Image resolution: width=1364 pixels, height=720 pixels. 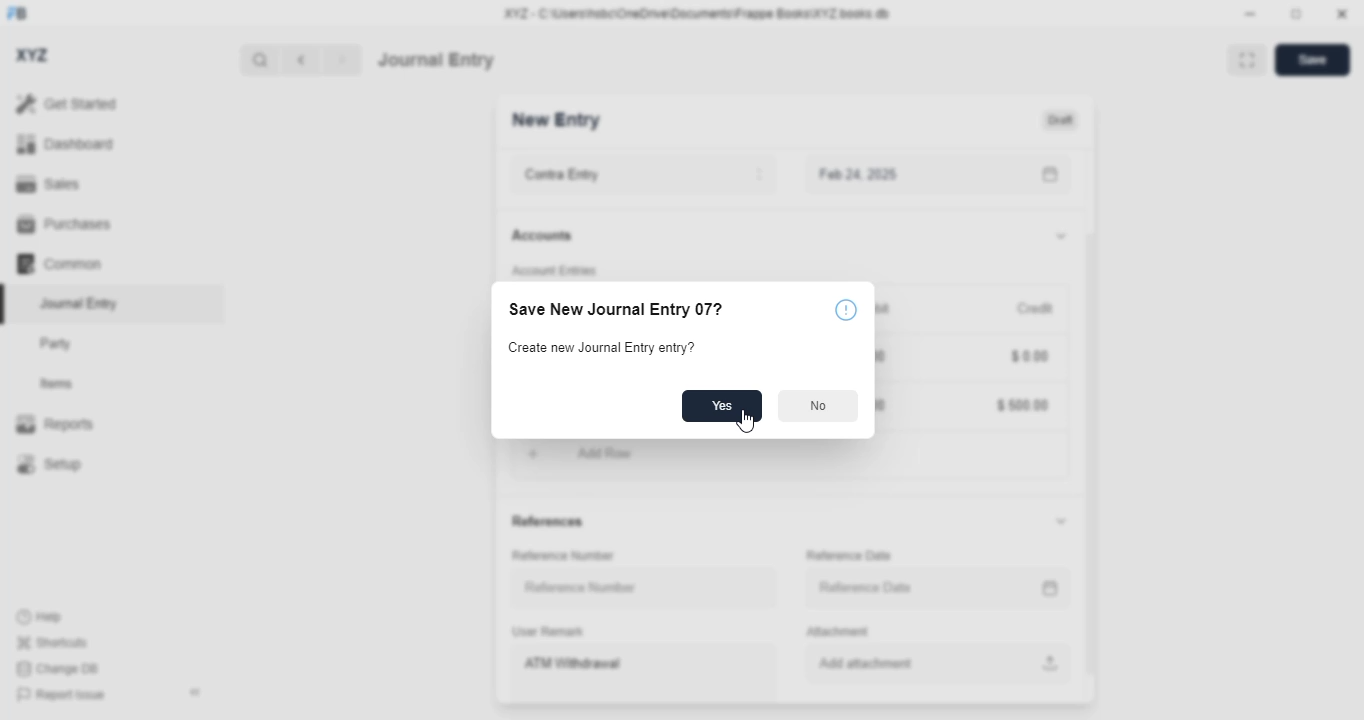 What do you see at coordinates (1021, 403) in the screenshot?
I see `$500.00` at bounding box center [1021, 403].